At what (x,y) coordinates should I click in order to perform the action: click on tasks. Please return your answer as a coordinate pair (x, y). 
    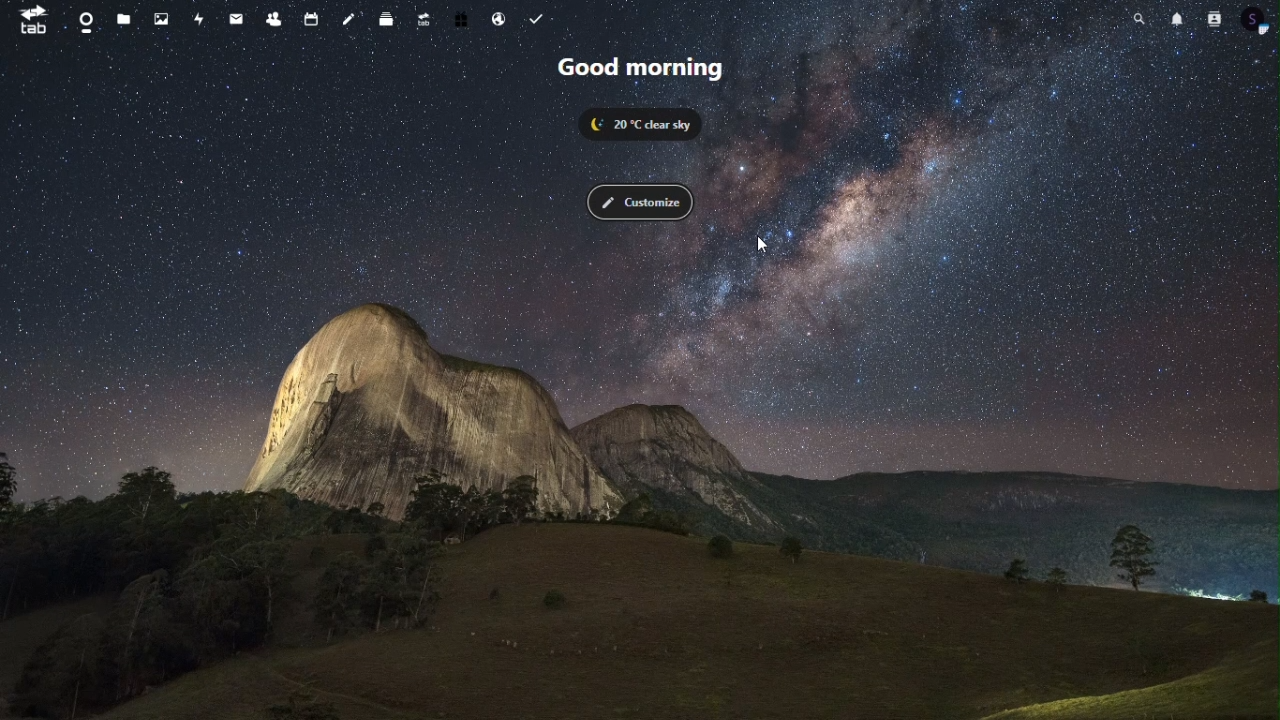
    Looking at the image, I should click on (535, 20).